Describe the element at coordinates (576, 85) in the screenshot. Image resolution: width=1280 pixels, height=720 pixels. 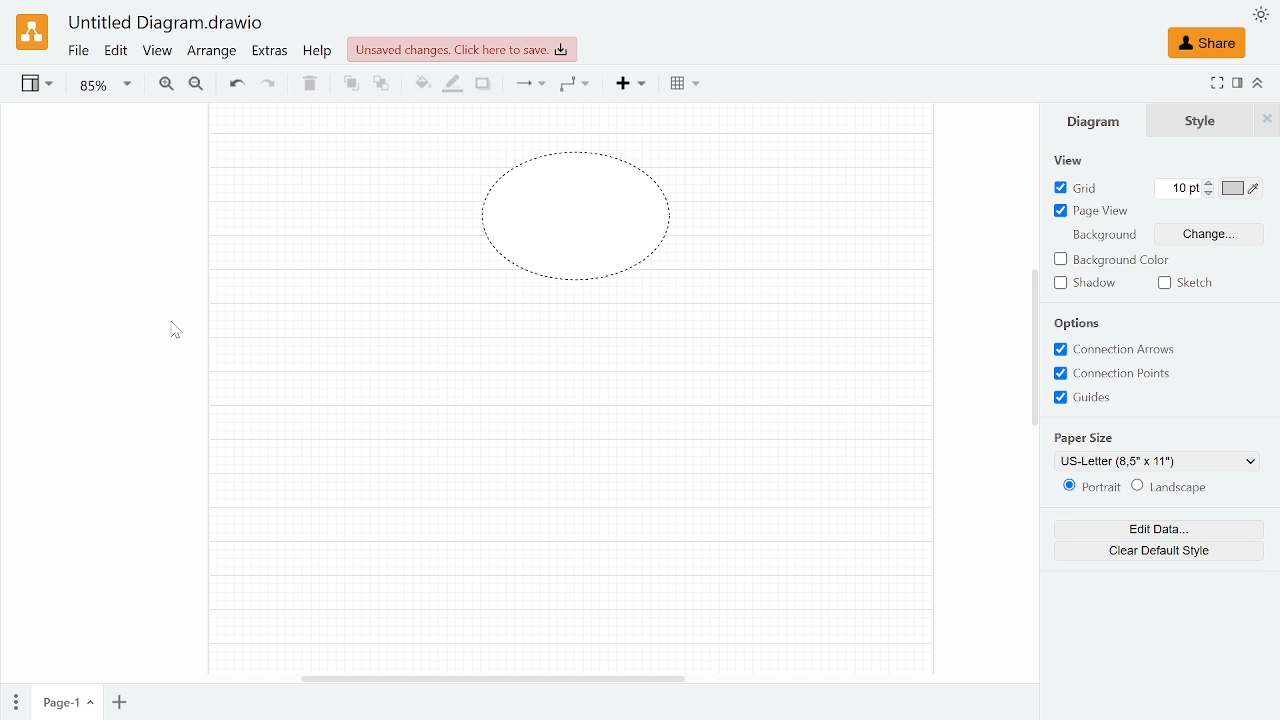
I see `Waypoints` at that location.